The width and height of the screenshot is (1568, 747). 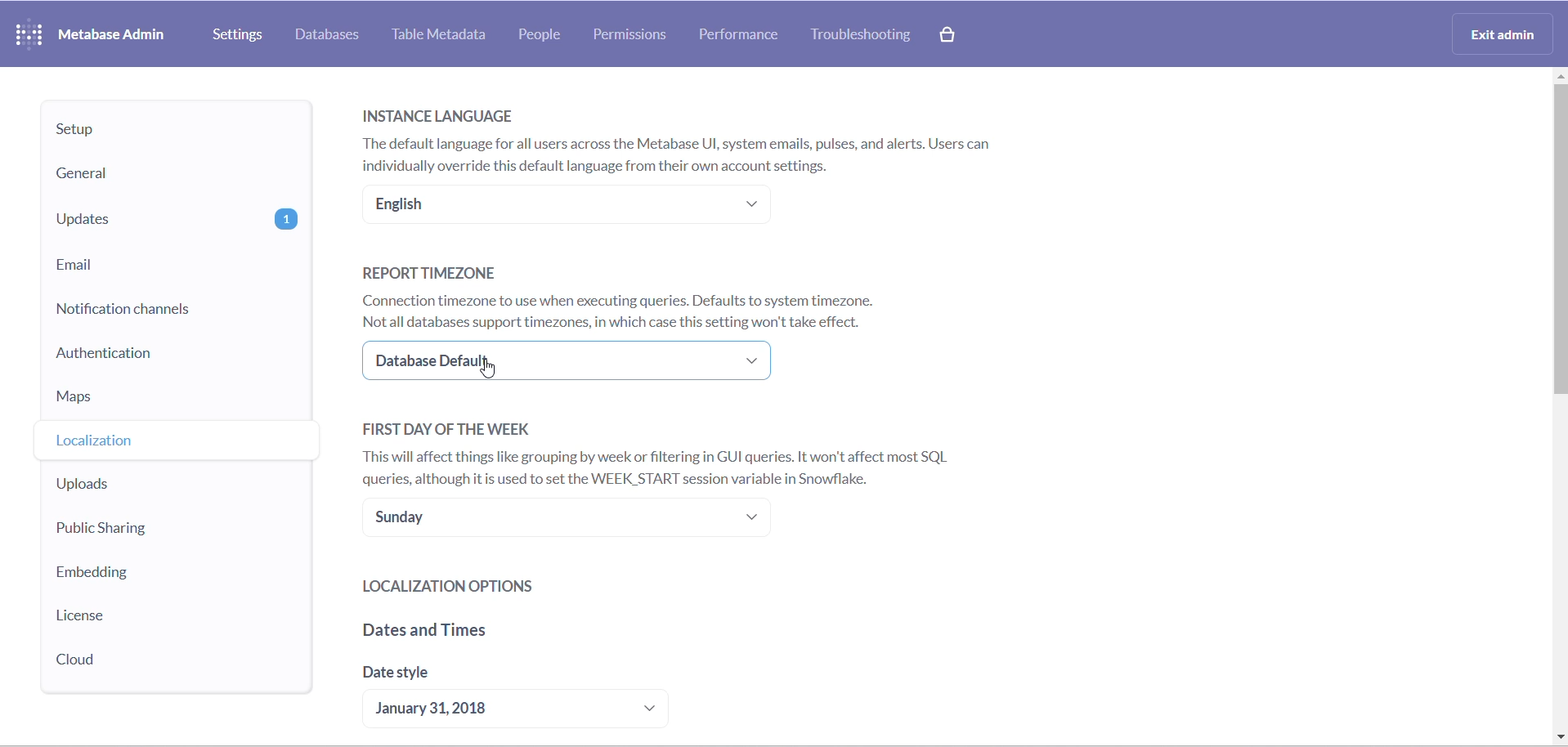 What do you see at coordinates (329, 35) in the screenshot?
I see `DATABSES` at bounding box center [329, 35].